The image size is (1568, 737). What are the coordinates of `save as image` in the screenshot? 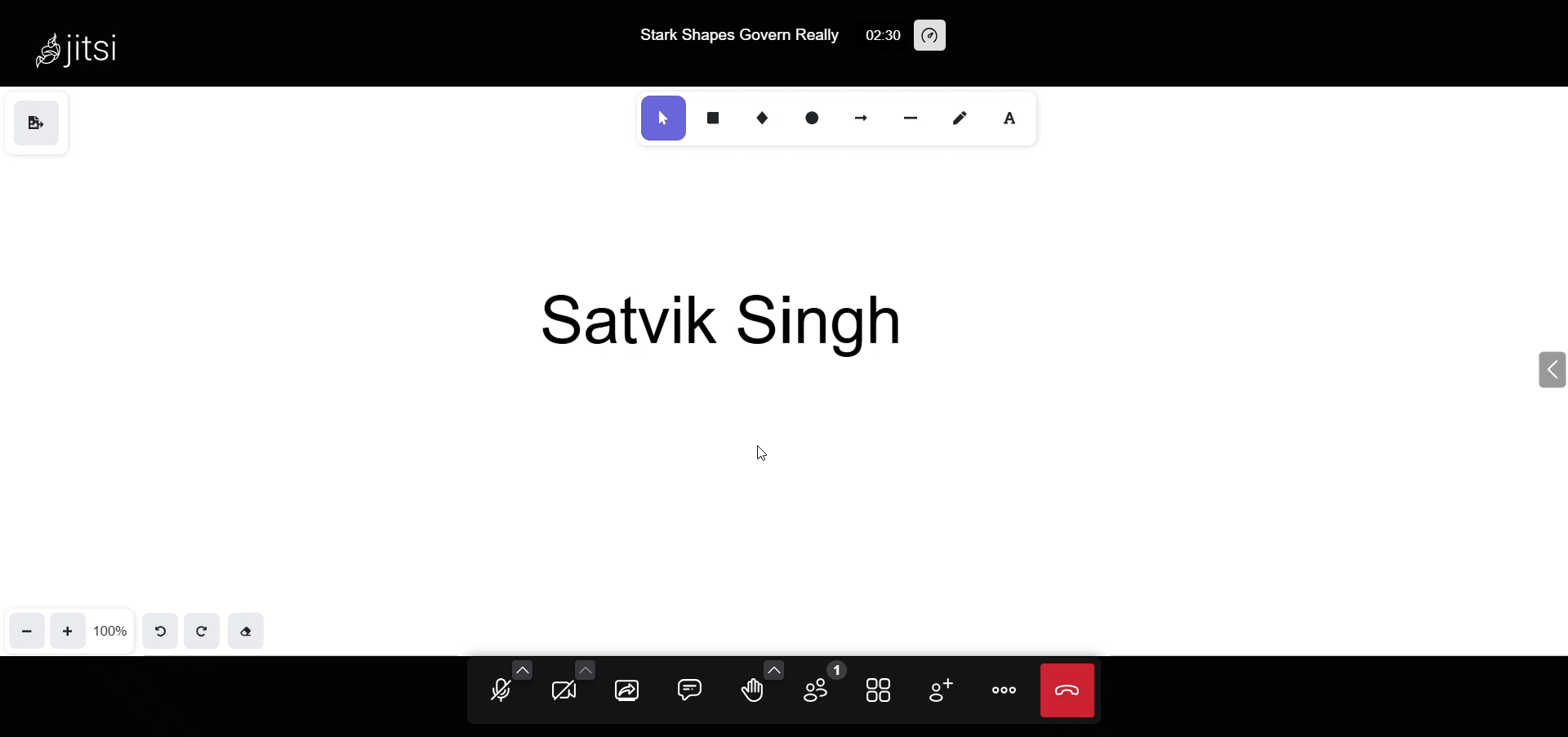 It's located at (36, 125).